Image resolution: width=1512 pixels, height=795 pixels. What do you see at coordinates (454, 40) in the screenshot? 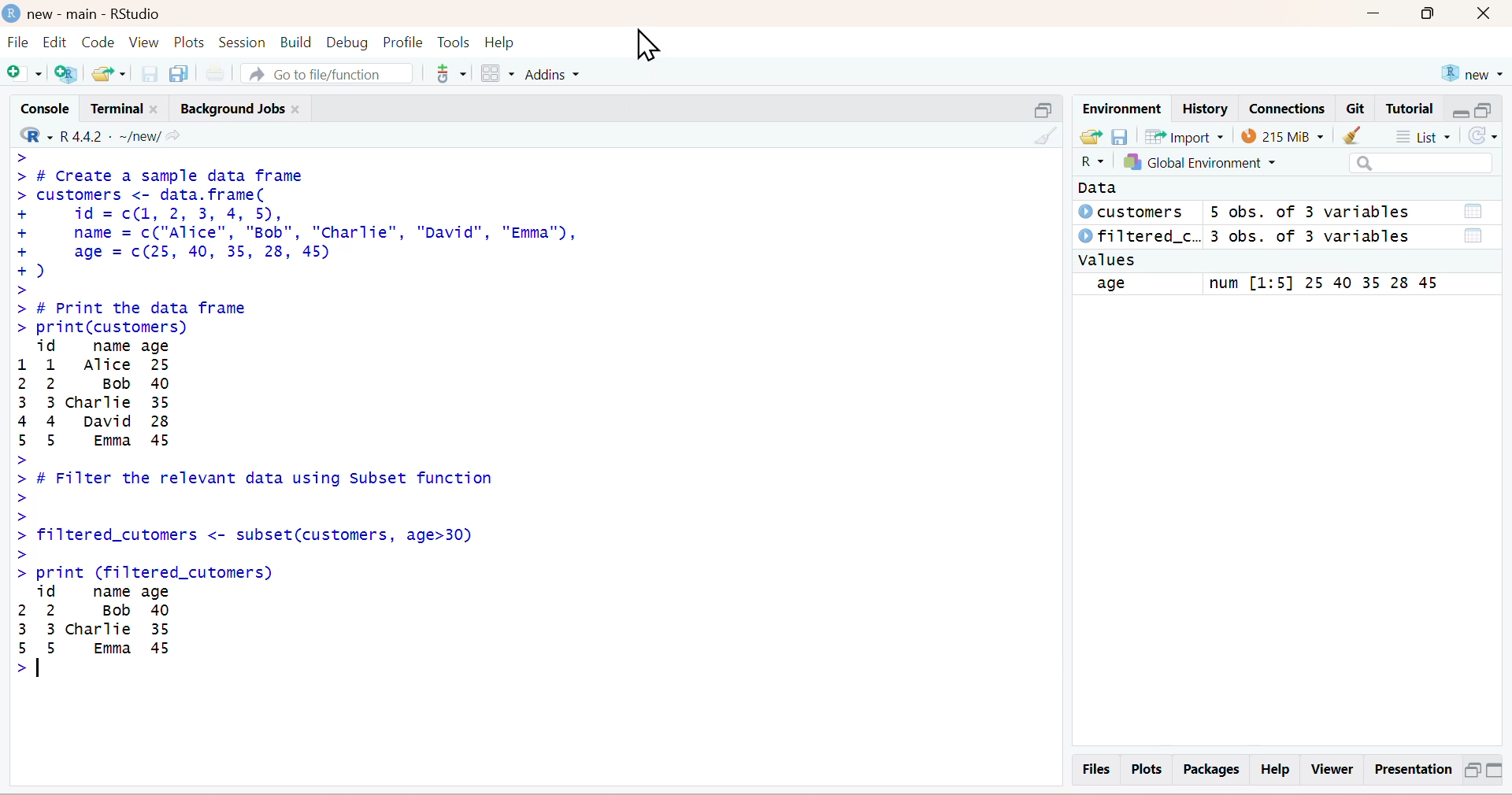
I see `Tools` at bounding box center [454, 40].